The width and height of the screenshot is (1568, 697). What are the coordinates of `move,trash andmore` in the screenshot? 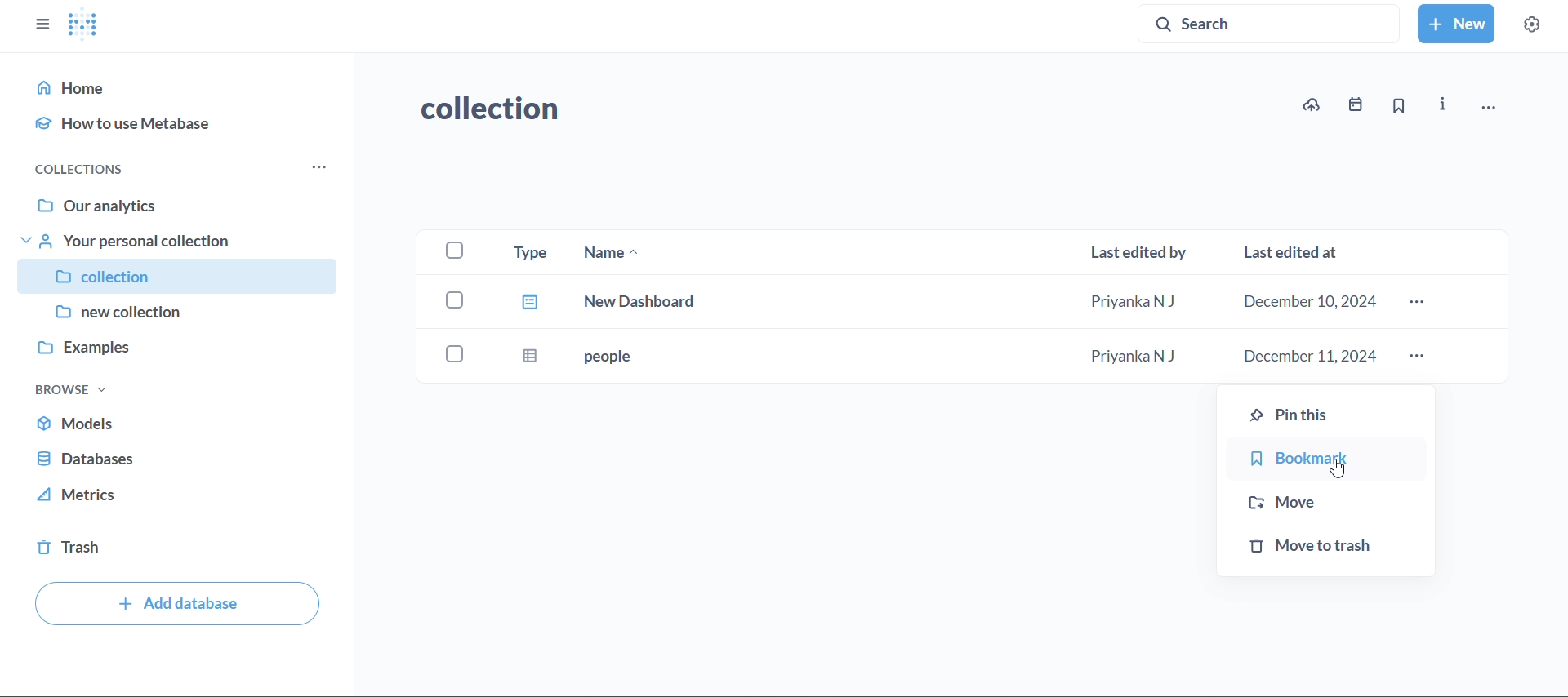 It's located at (1490, 108).